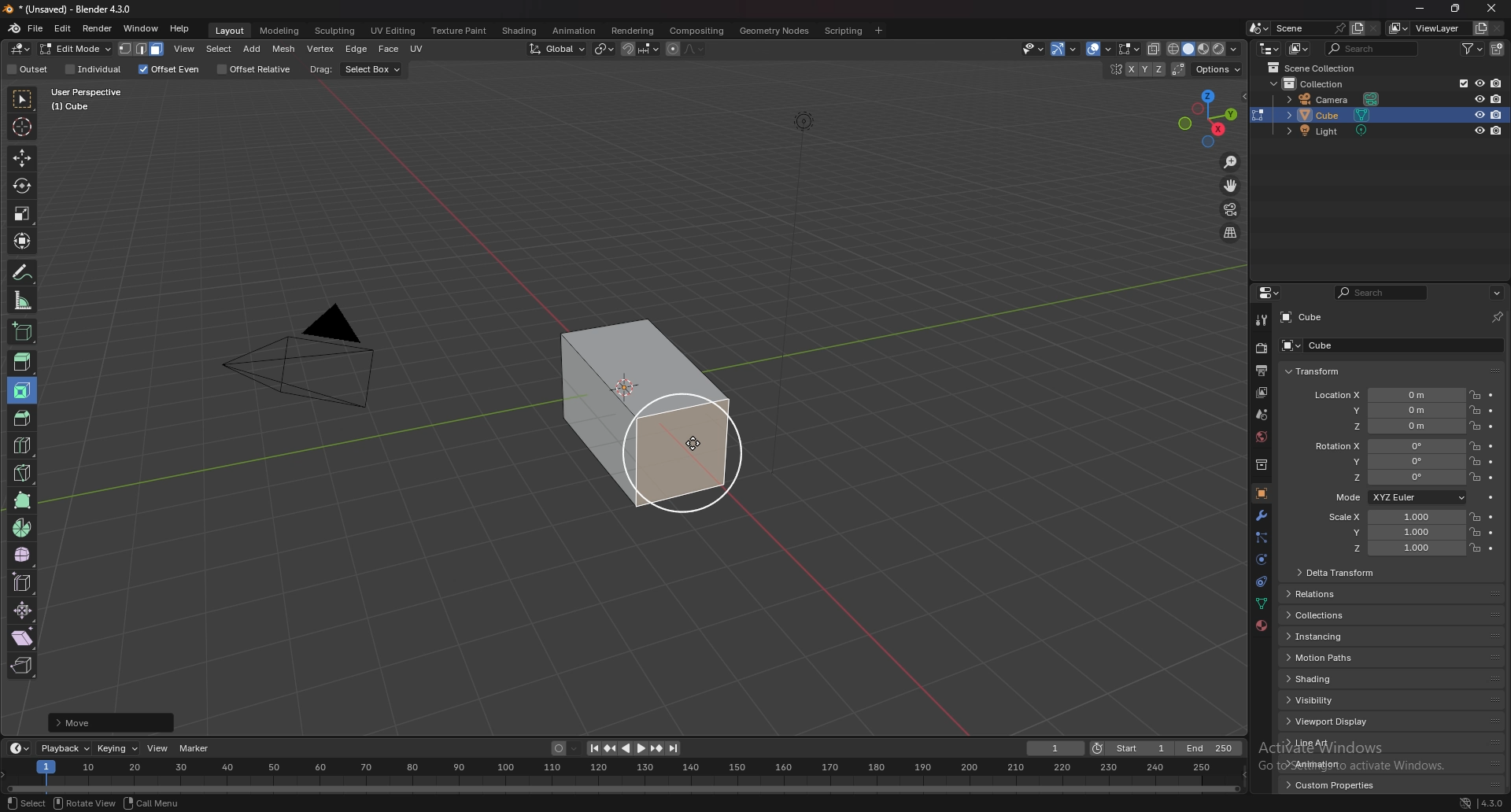 The image size is (1511, 812). What do you see at coordinates (1398, 496) in the screenshot?
I see `mode` at bounding box center [1398, 496].